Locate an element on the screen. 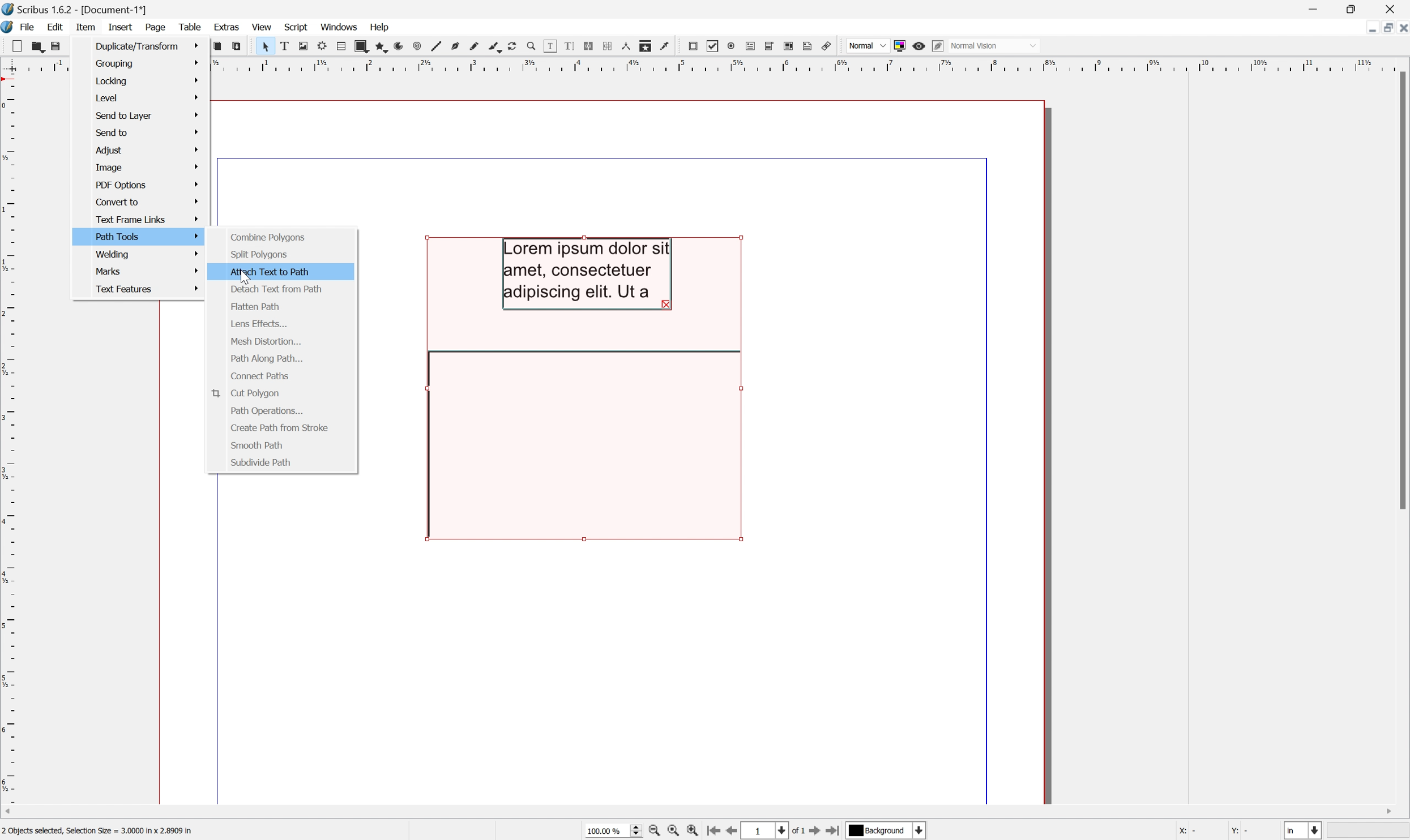  PDF combo box is located at coordinates (768, 44).